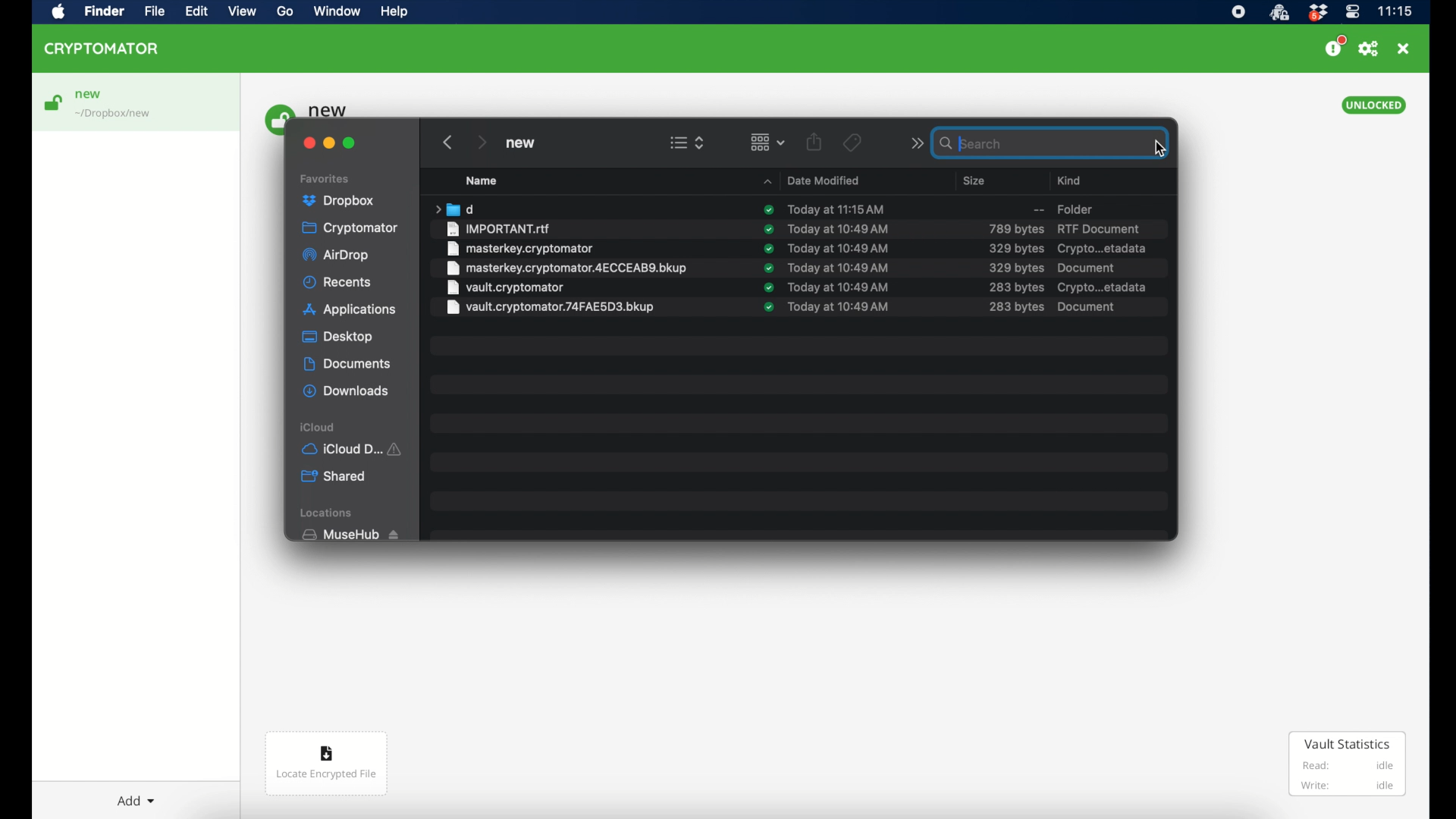  What do you see at coordinates (839, 248) in the screenshot?
I see `date` at bounding box center [839, 248].